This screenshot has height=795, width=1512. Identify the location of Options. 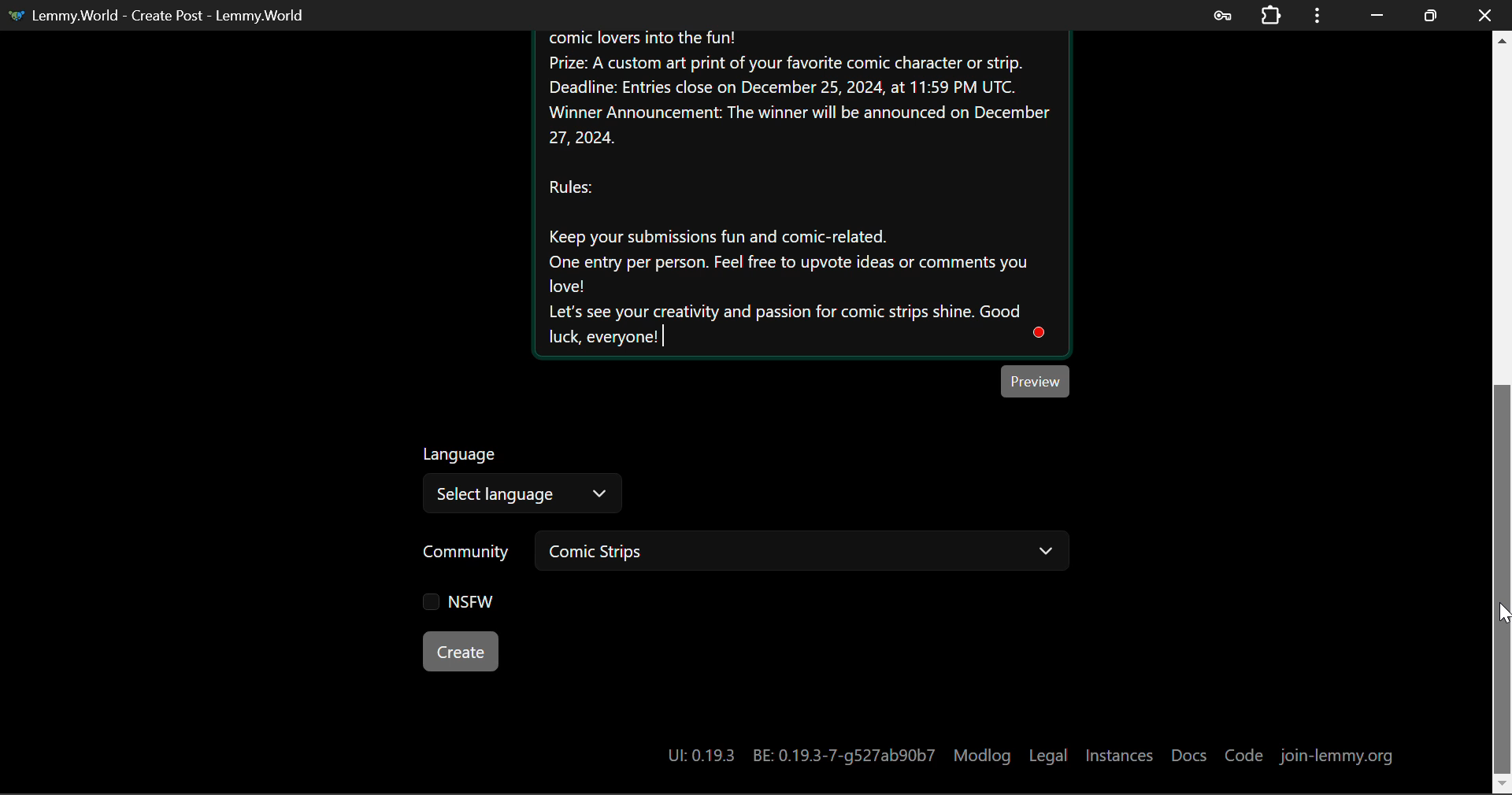
(1315, 15).